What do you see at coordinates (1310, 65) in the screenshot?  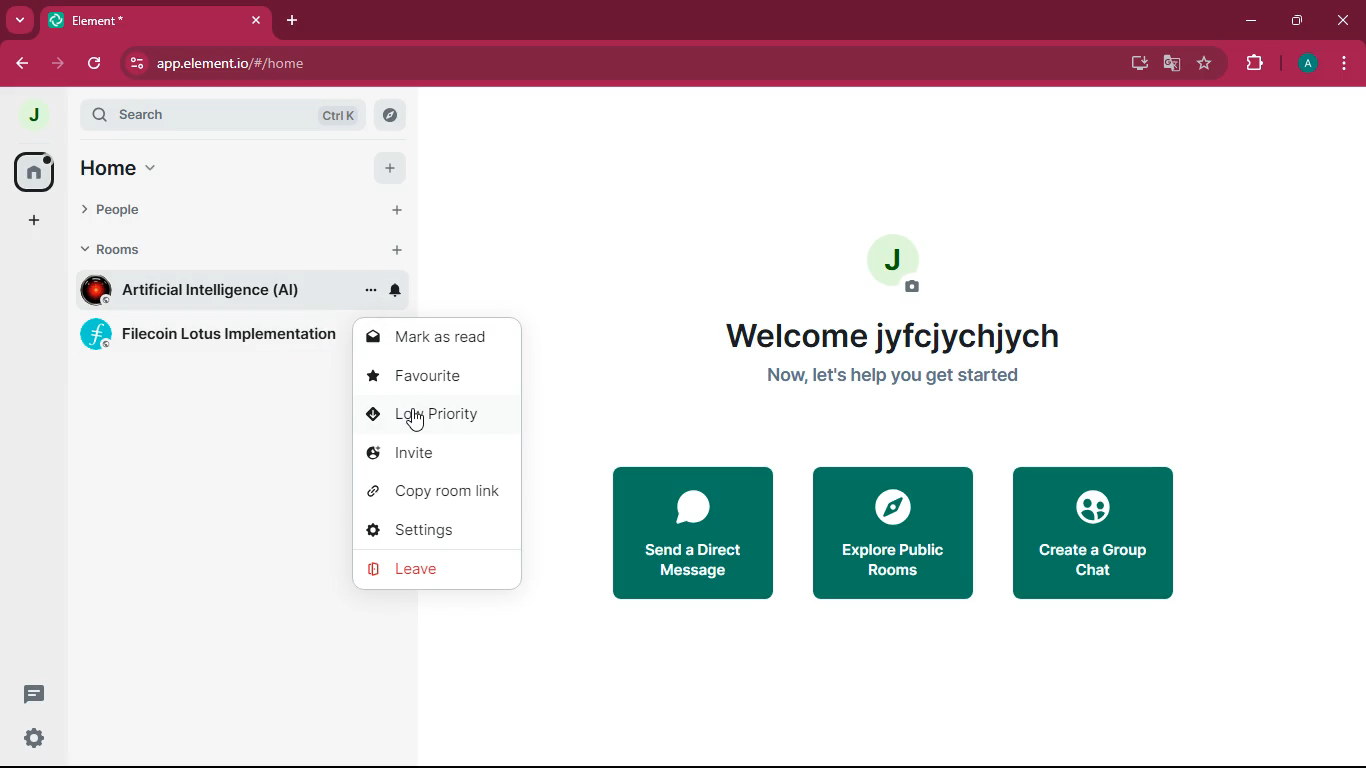 I see `profile` at bounding box center [1310, 65].